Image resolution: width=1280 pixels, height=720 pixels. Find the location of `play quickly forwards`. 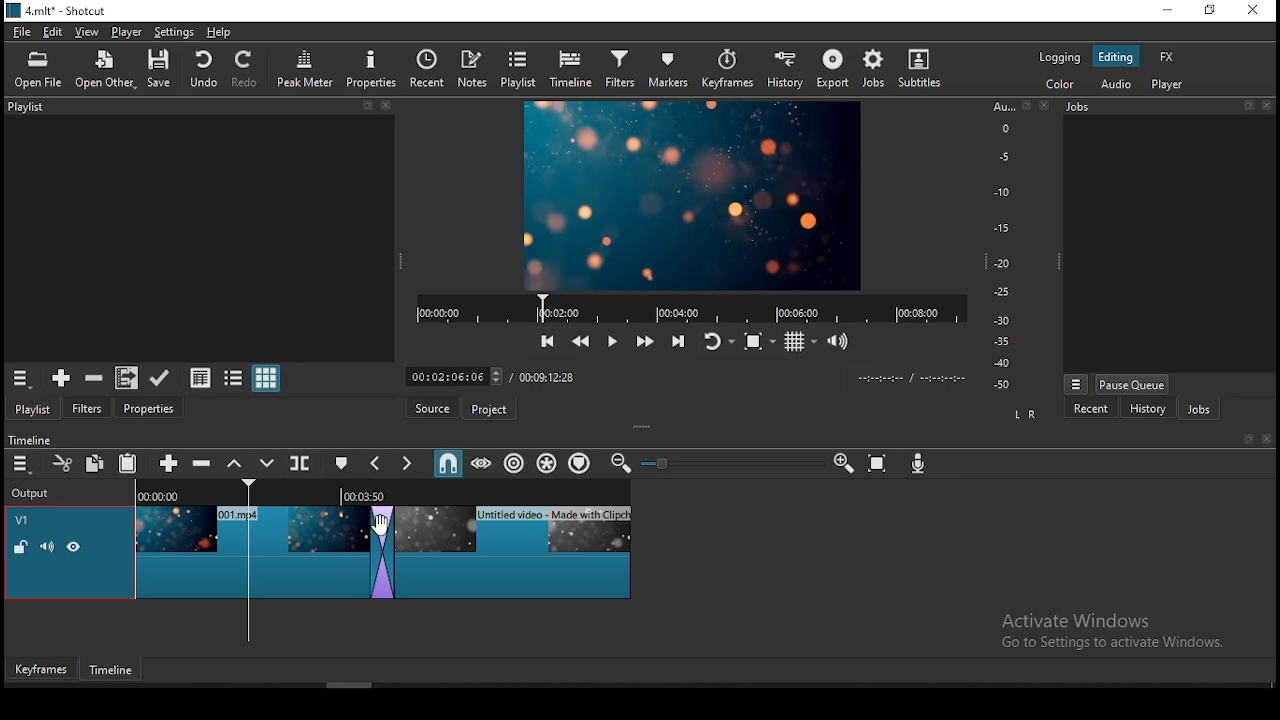

play quickly forwards is located at coordinates (645, 342).